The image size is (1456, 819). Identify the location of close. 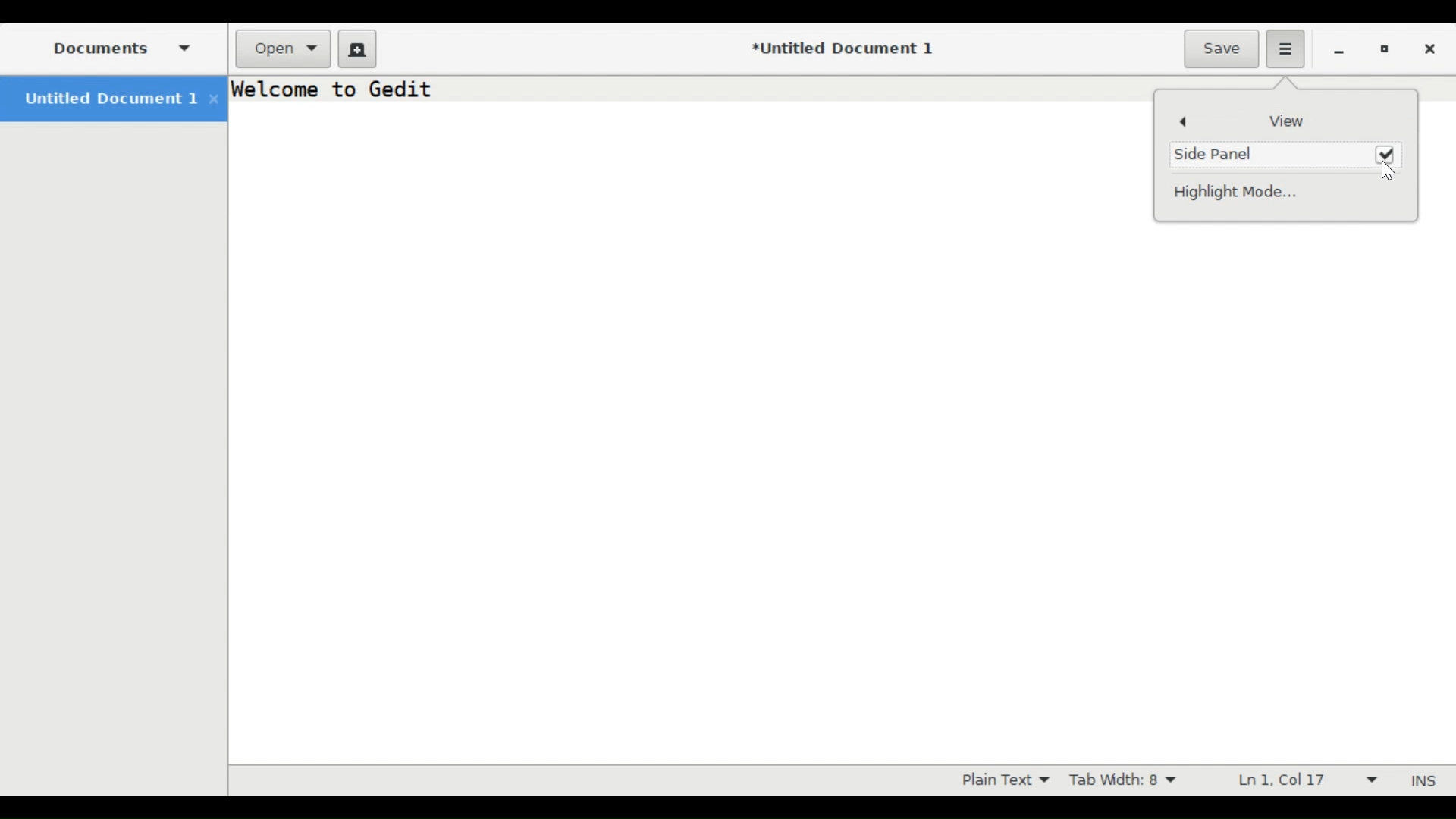
(215, 99).